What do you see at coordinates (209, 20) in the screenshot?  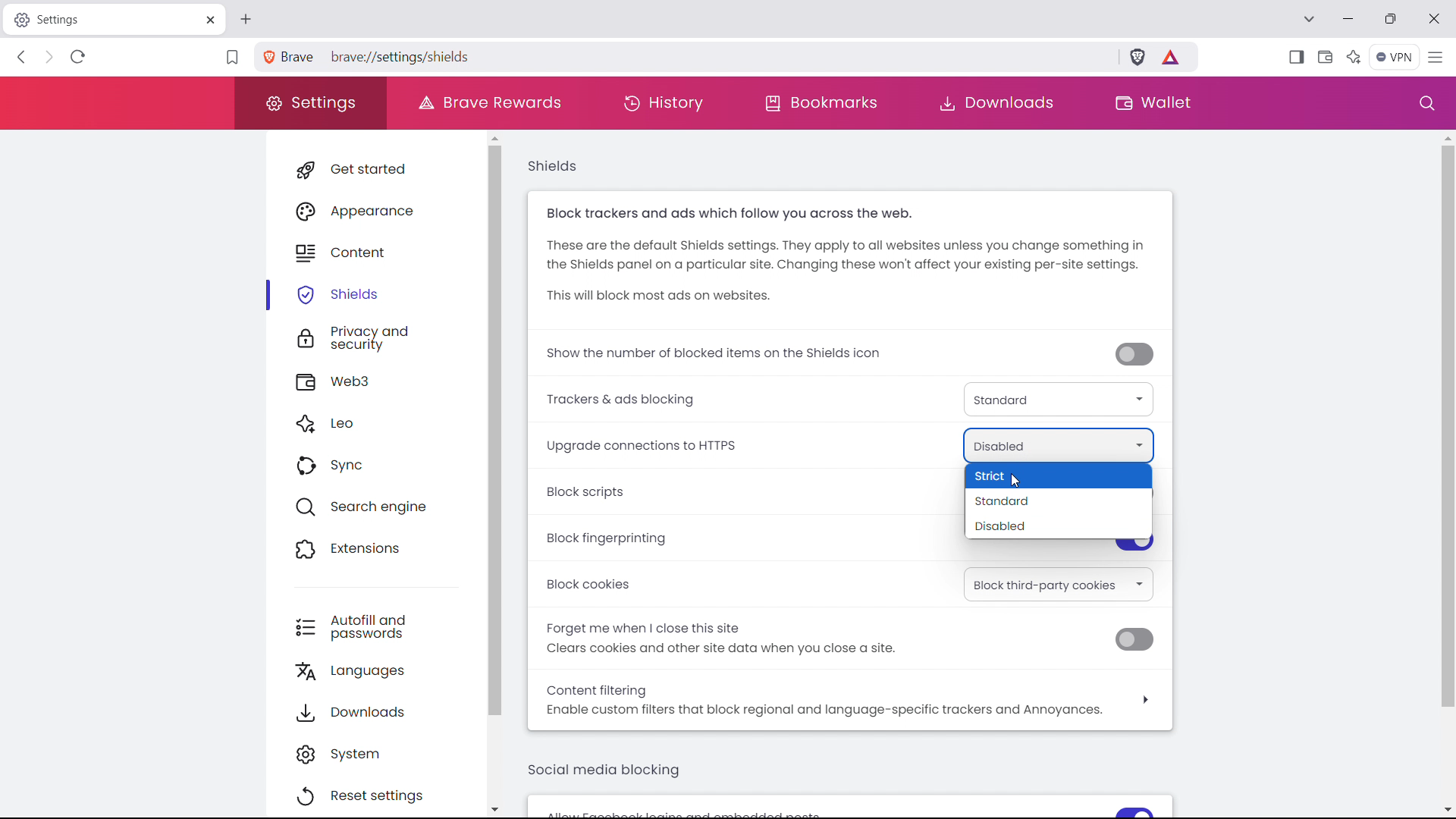 I see `close tab` at bounding box center [209, 20].